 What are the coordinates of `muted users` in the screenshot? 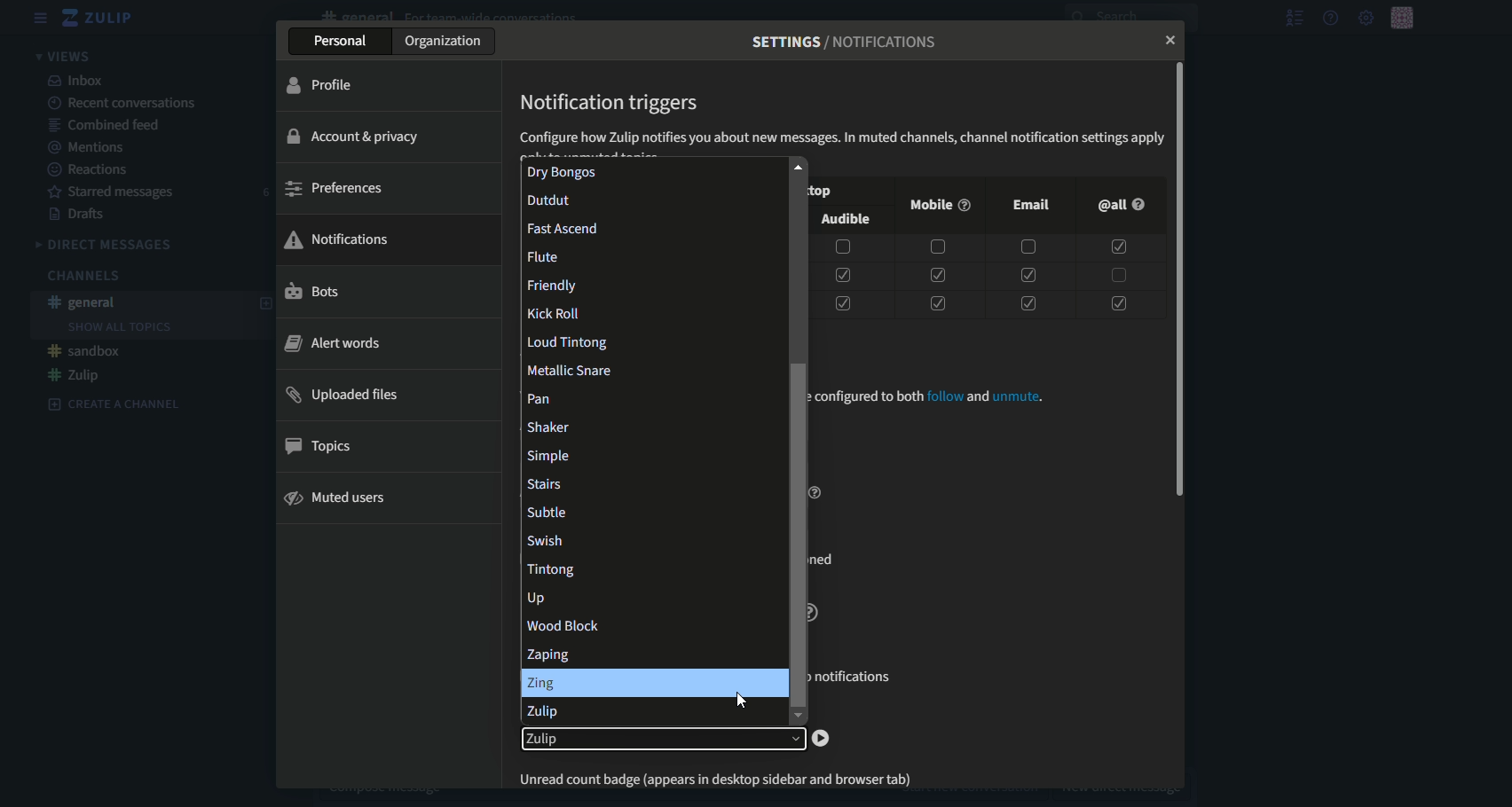 It's located at (338, 498).